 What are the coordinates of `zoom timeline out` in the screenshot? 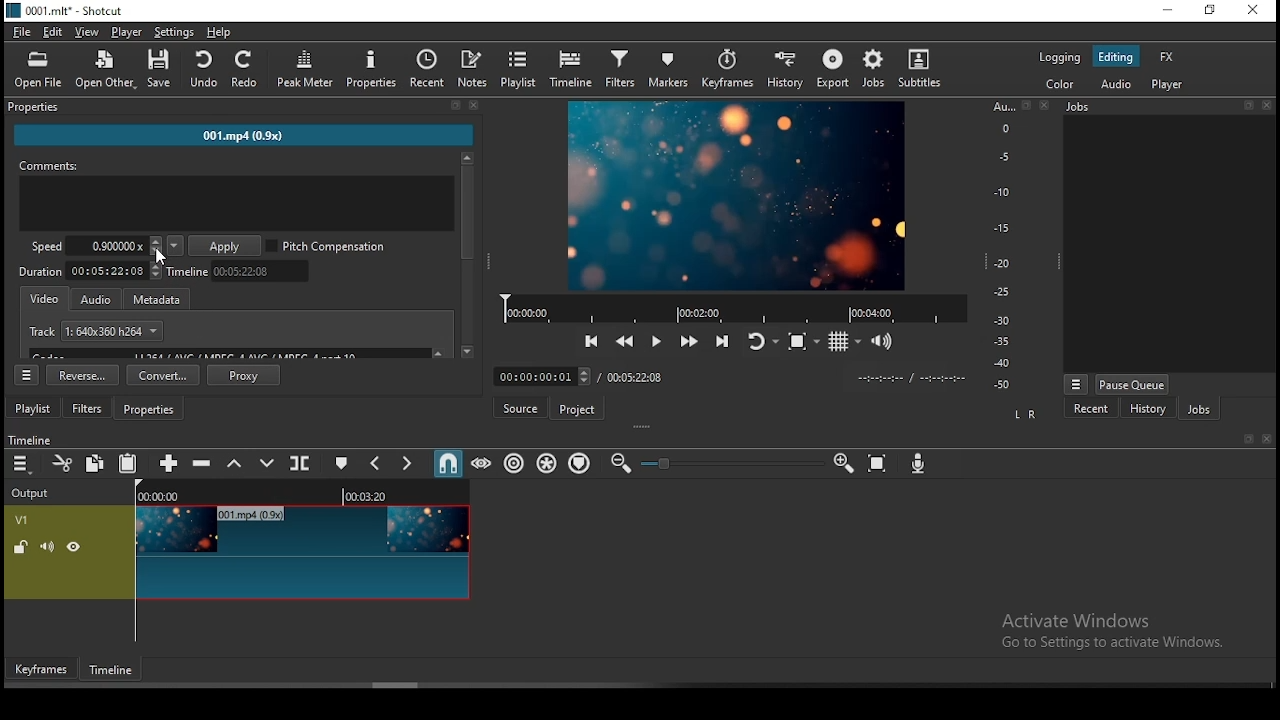 It's located at (619, 464).